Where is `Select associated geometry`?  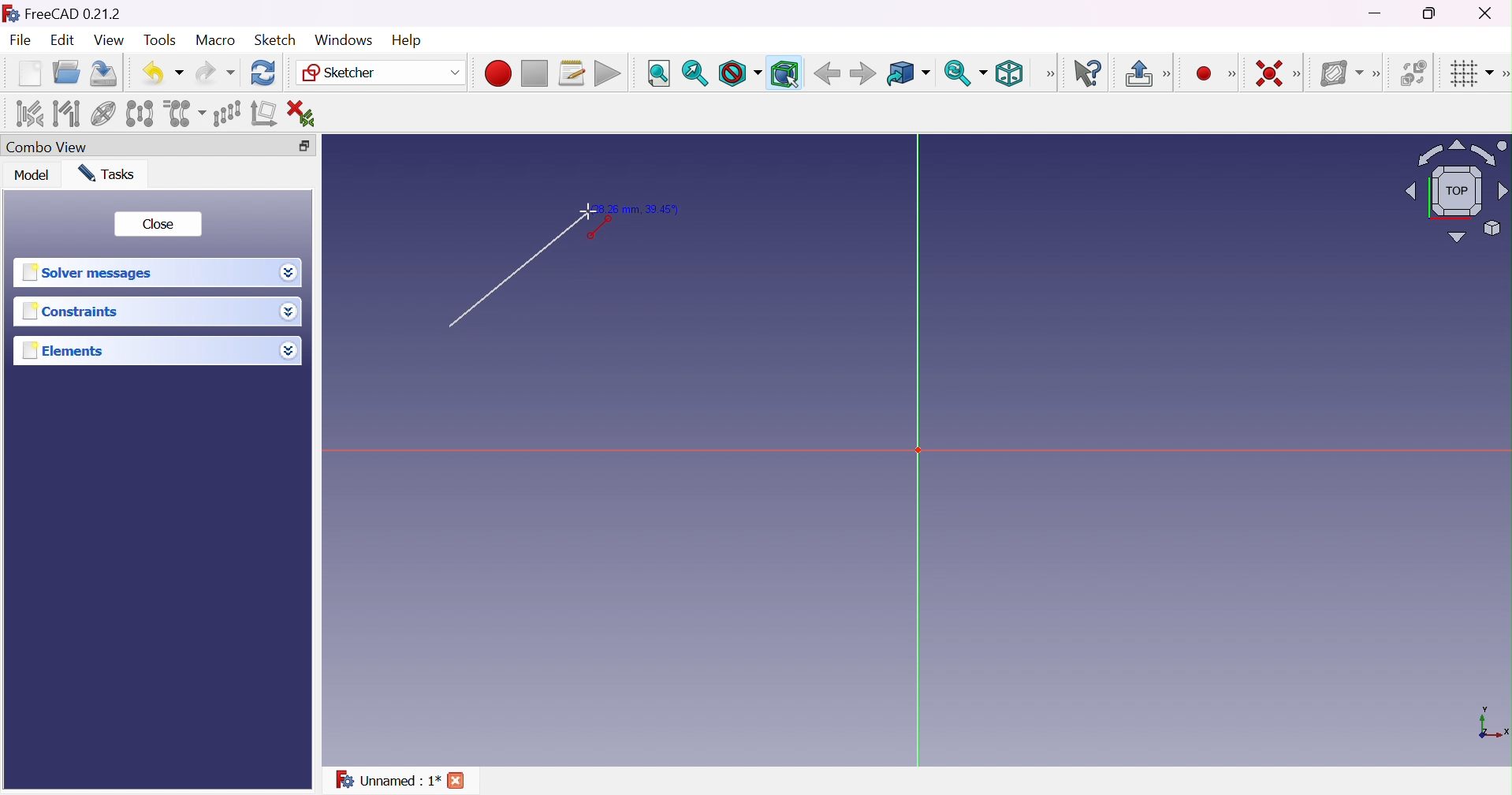
Select associated geometry is located at coordinates (66, 114).